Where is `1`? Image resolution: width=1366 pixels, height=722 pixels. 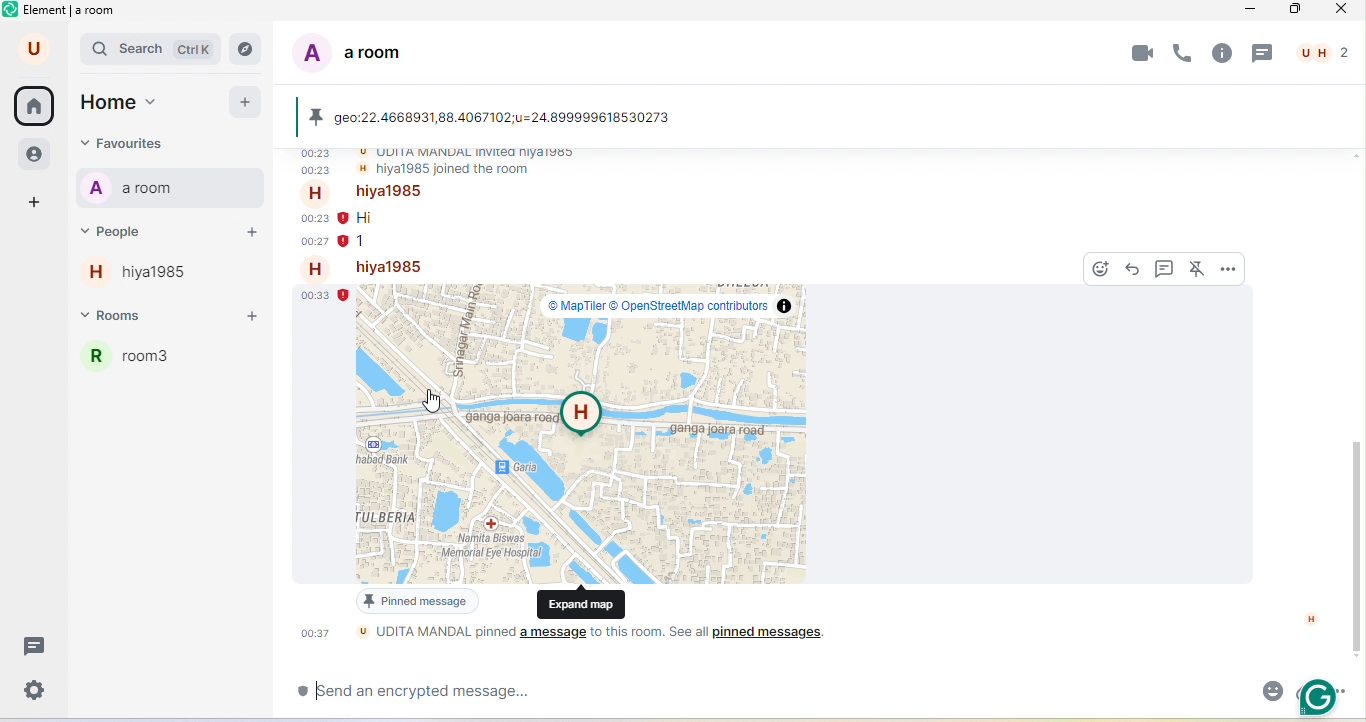 1 is located at coordinates (363, 246).